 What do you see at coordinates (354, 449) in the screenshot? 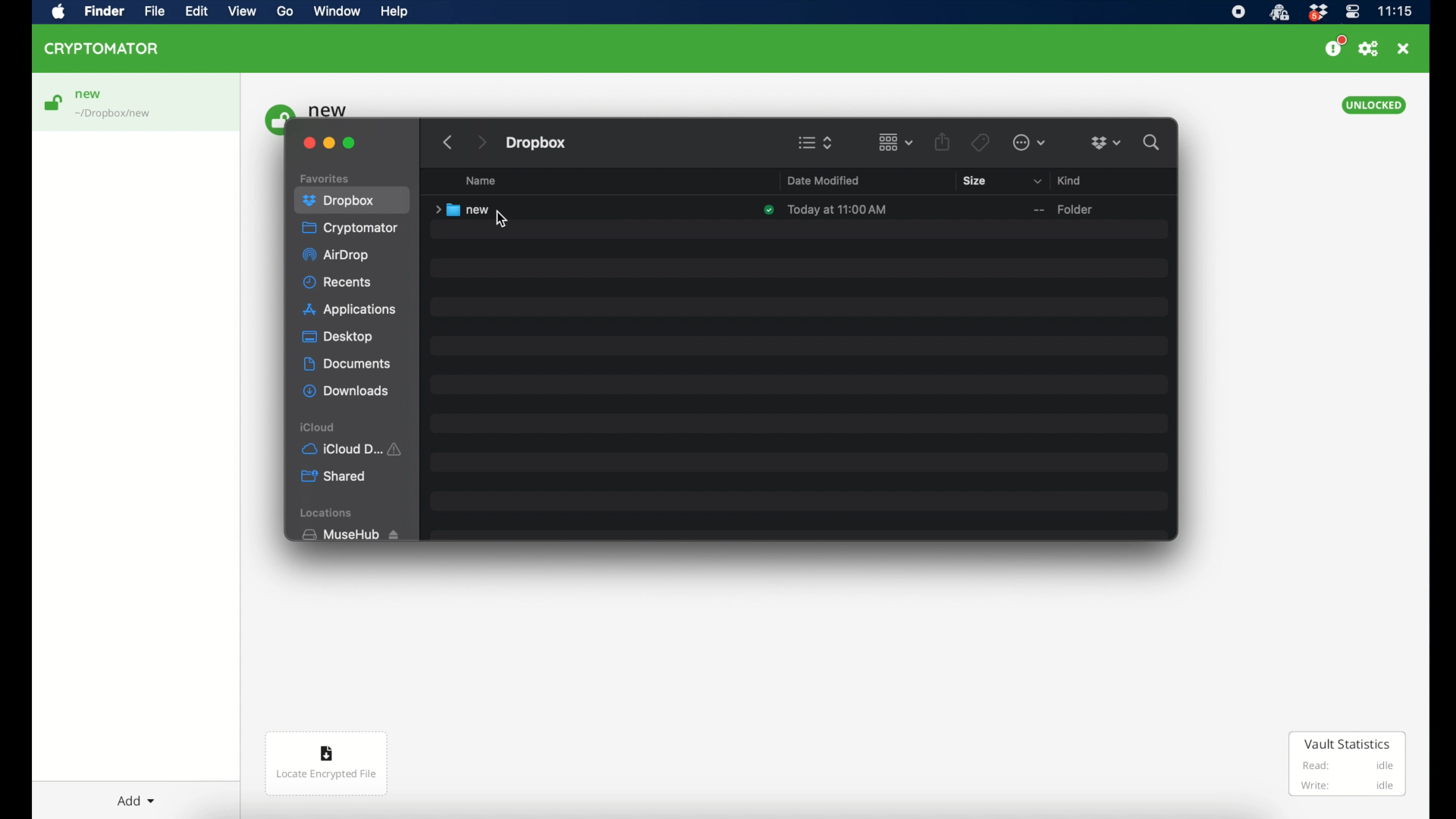
I see `iCloud` at bounding box center [354, 449].